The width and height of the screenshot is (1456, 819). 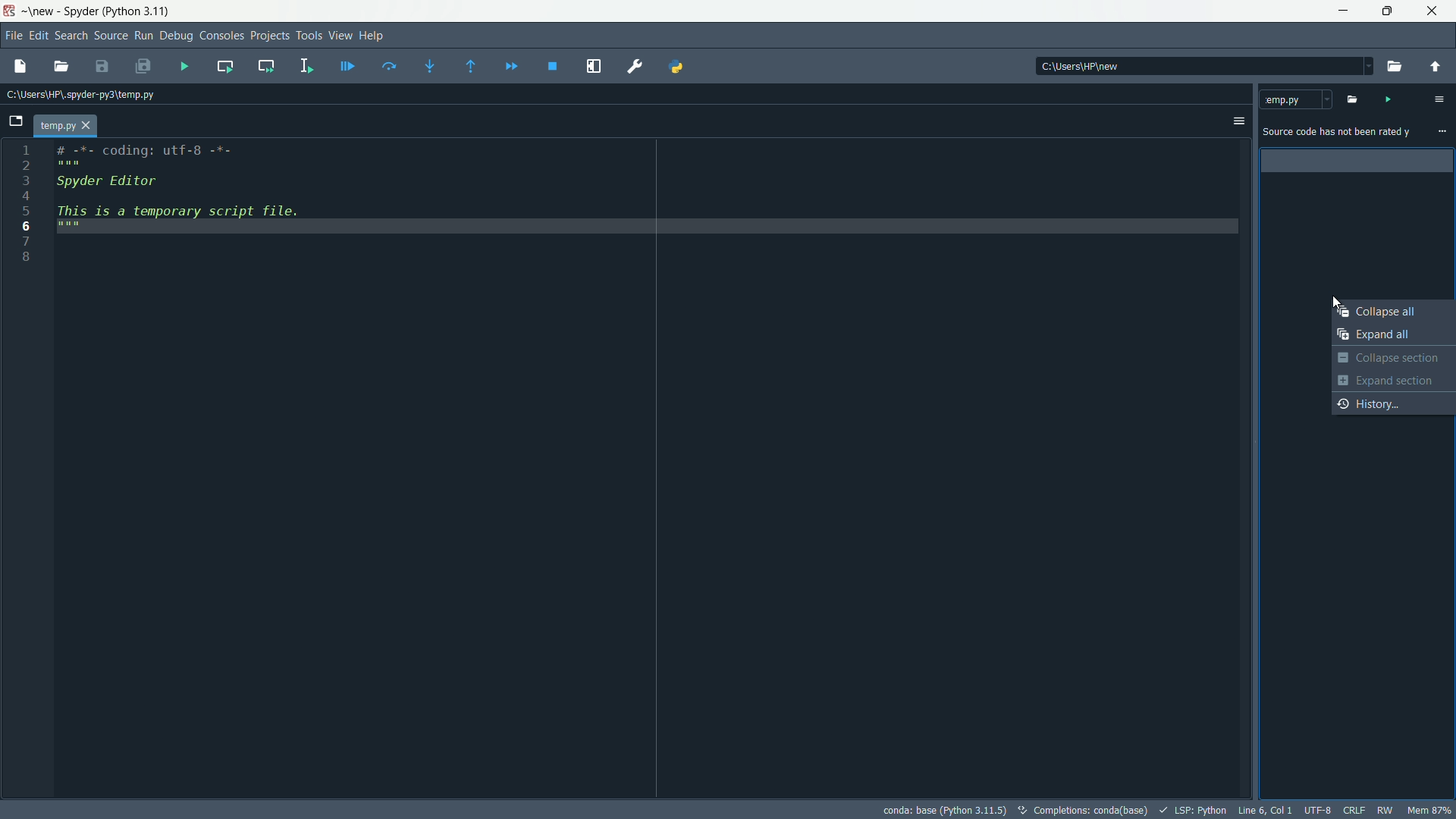 What do you see at coordinates (25, 180) in the screenshot?
I see `3` at bounding box center [25, 180].